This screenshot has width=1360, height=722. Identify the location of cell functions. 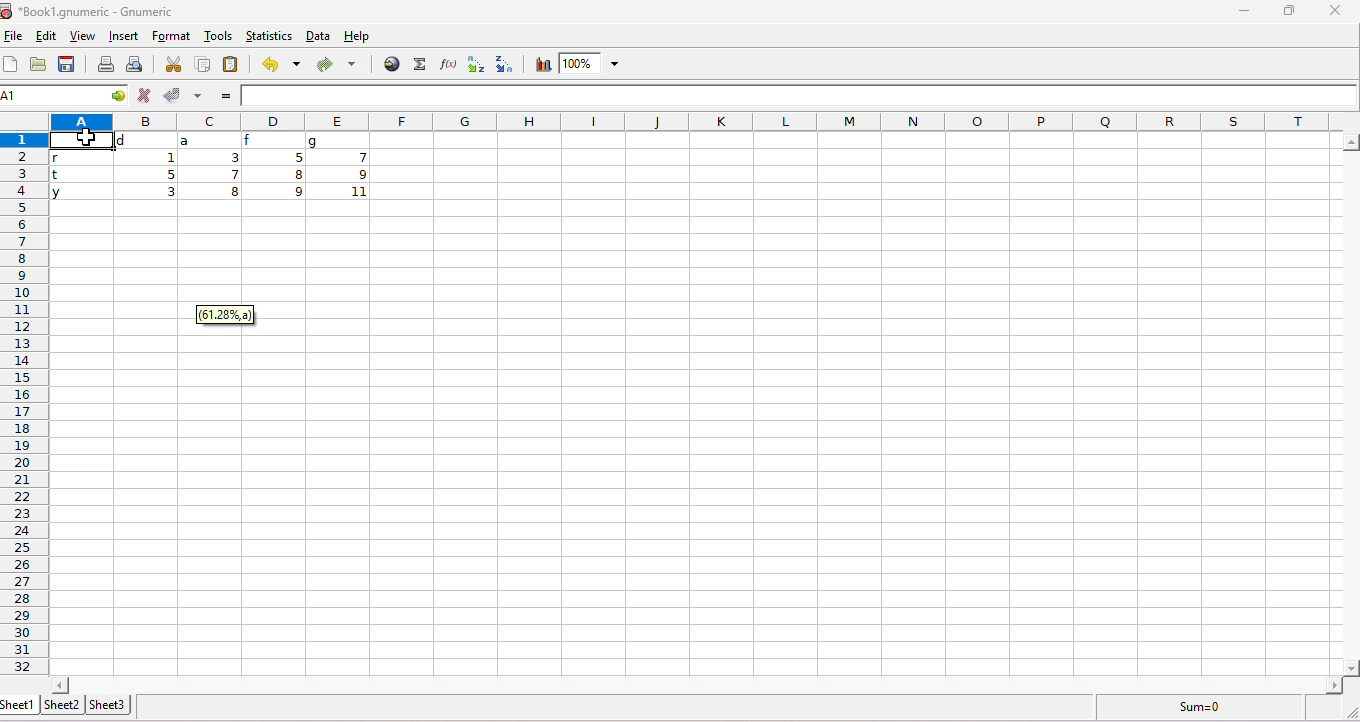
(109, 97).